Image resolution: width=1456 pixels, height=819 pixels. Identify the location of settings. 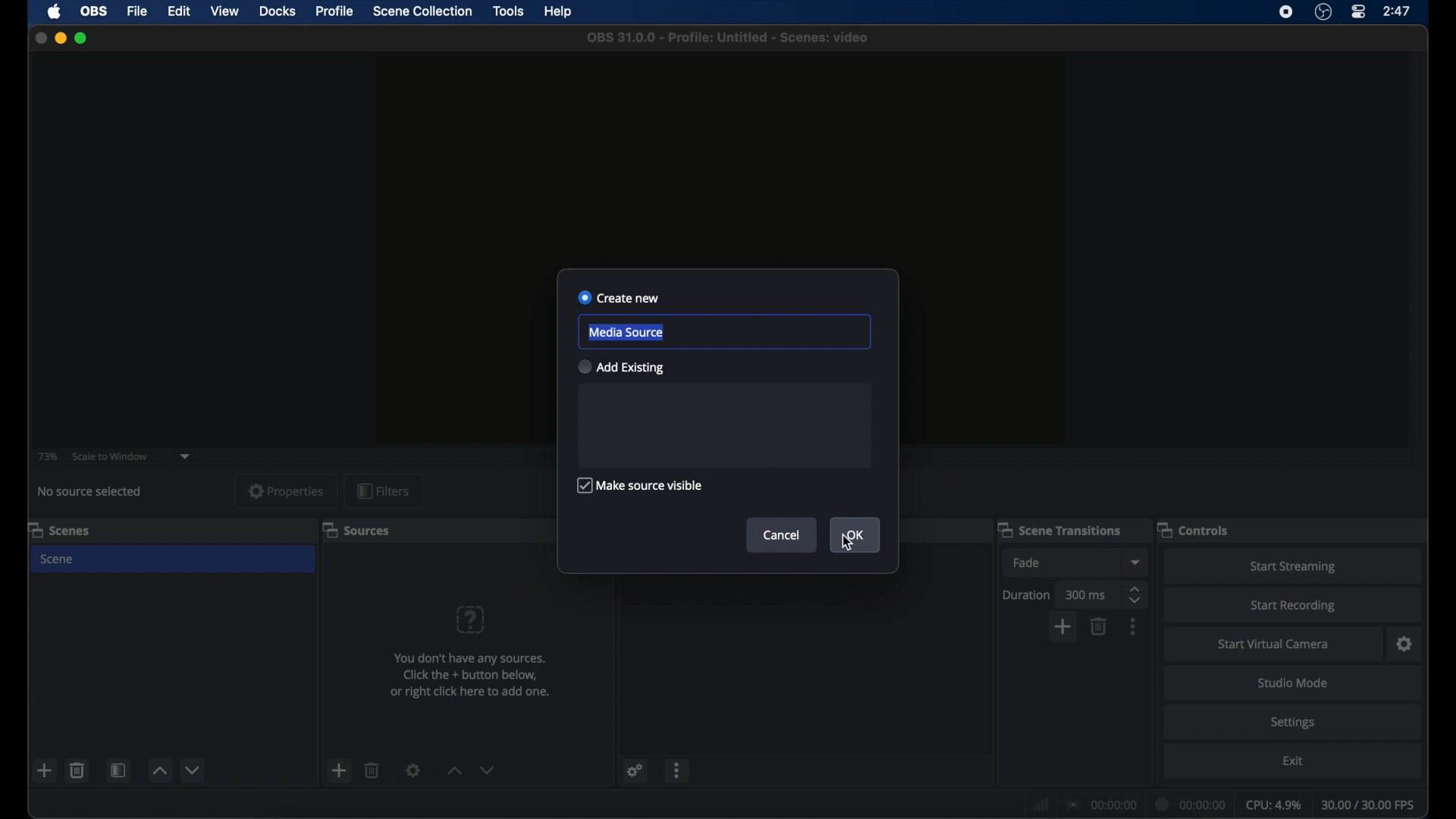
(1293, 723).